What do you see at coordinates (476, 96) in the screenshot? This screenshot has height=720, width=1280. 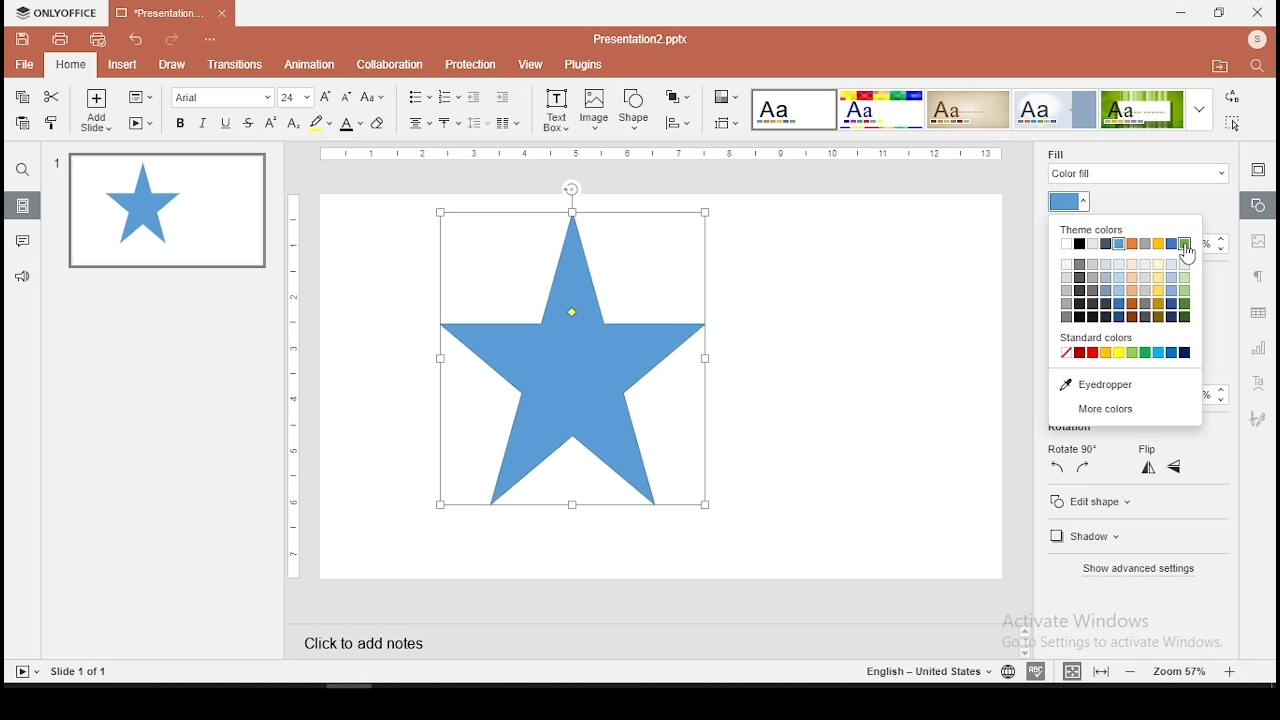 I see `decrease indent` at bounding box center [476, 96].